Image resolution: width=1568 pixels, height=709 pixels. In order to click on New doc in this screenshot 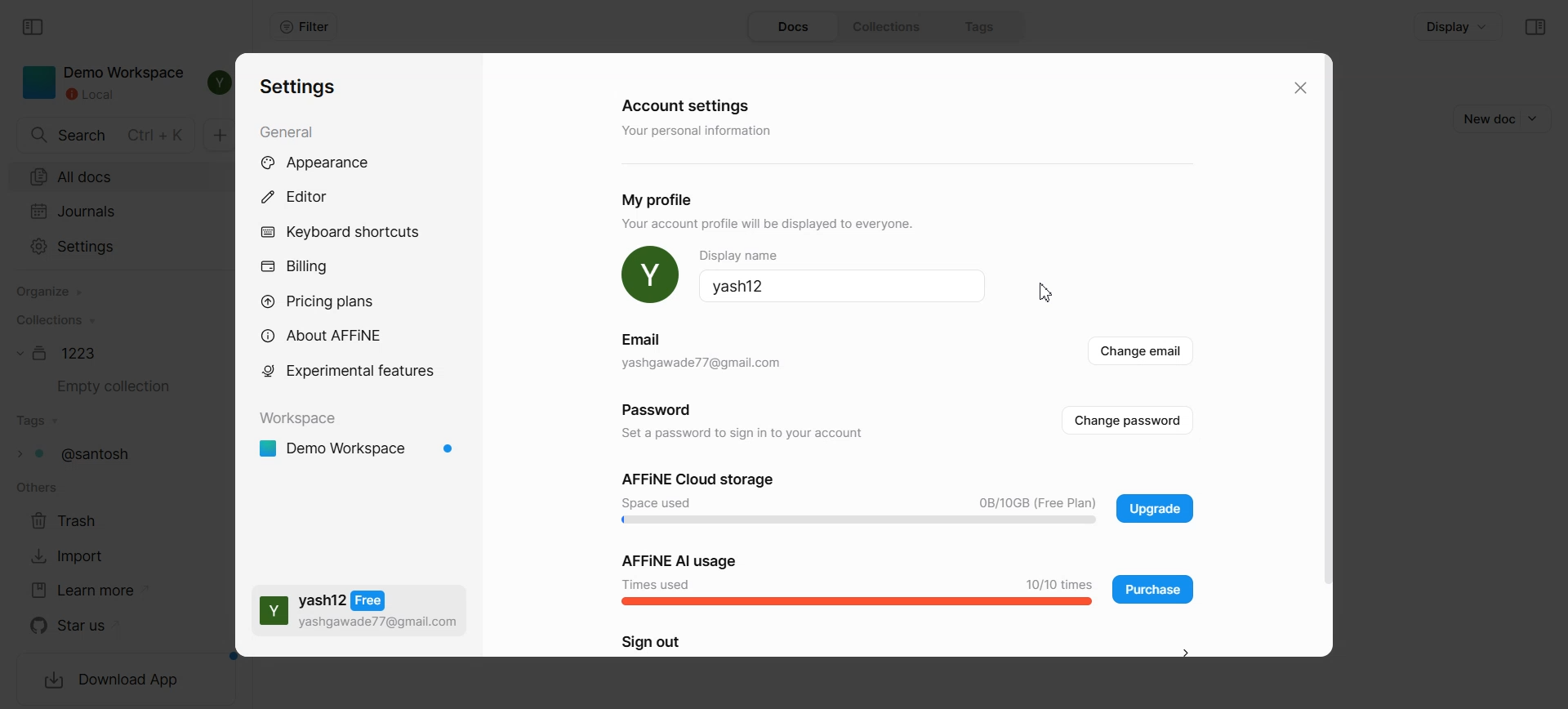, I will do `click(1484, 118)`.